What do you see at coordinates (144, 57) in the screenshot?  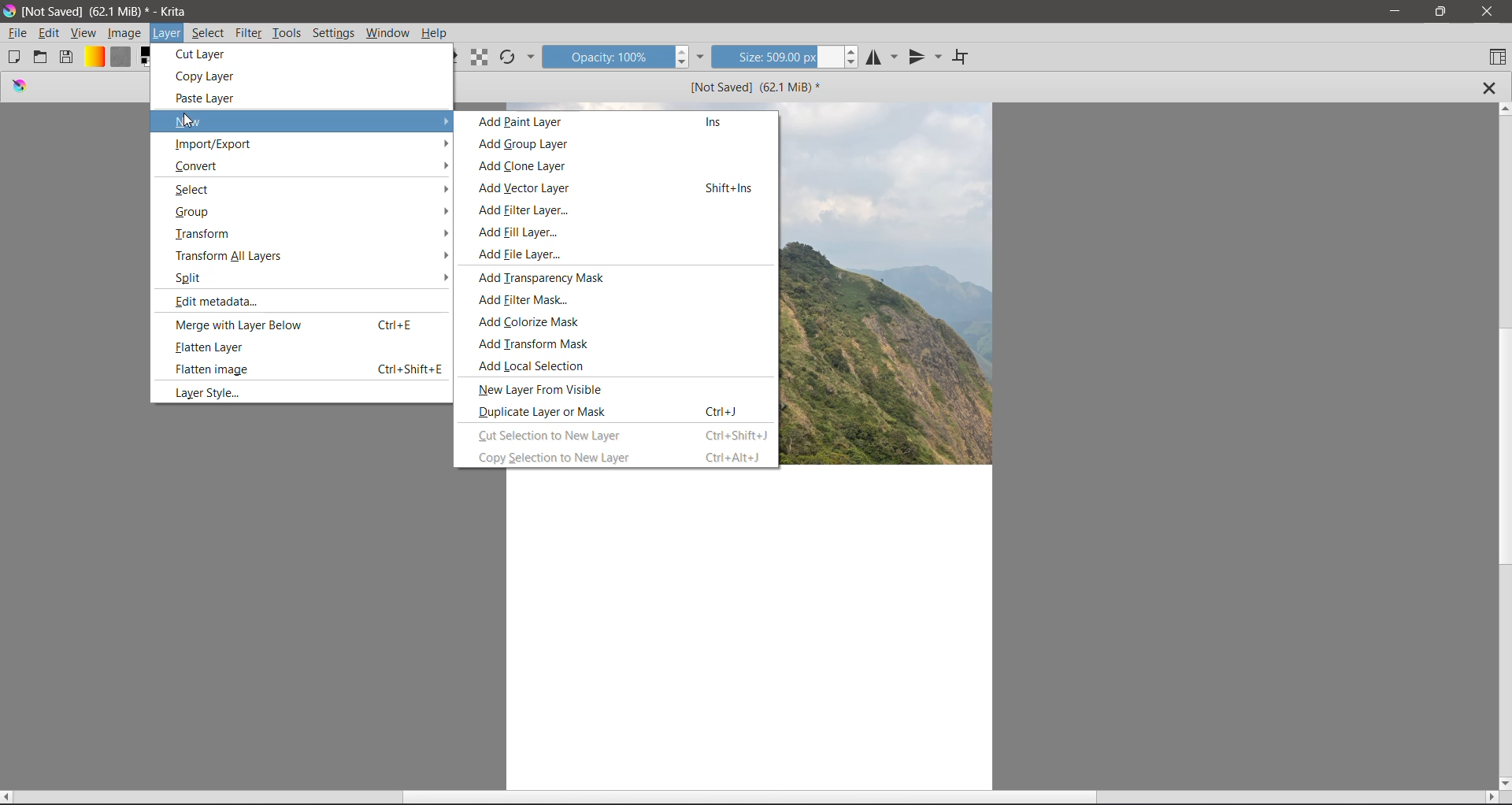 I see `Set the background and foreground colro selector` at bounding box center [144, 57].